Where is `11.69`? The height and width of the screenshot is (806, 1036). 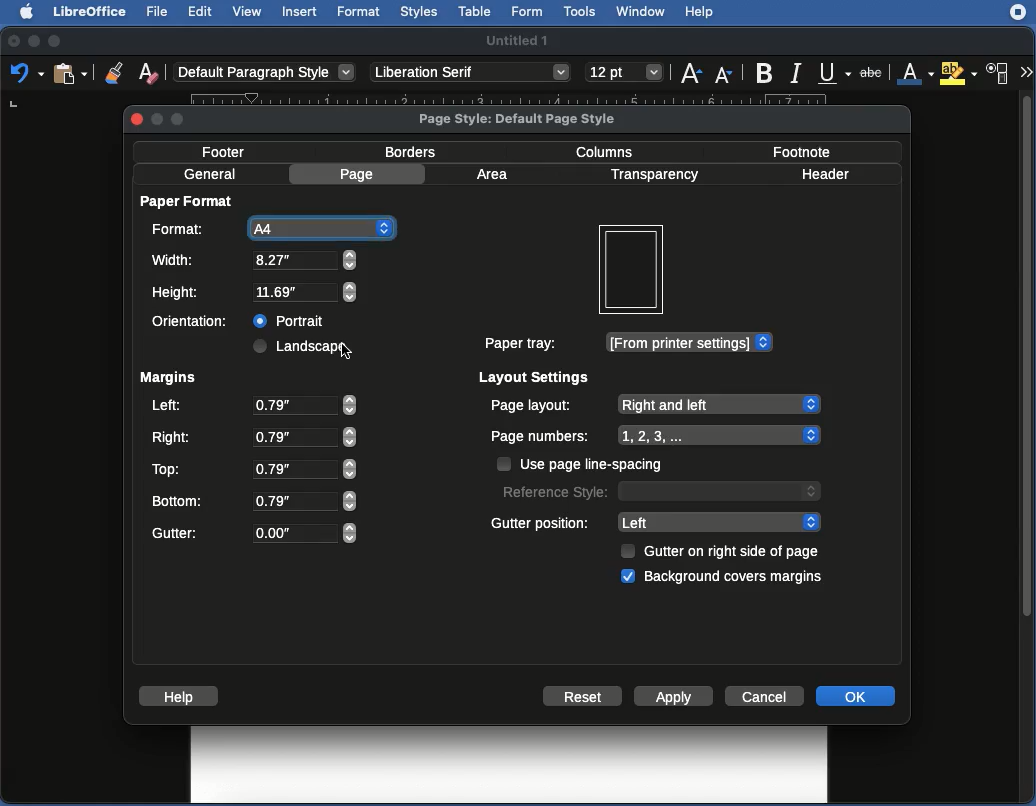 11.69 is located at coordinates (306, 292).